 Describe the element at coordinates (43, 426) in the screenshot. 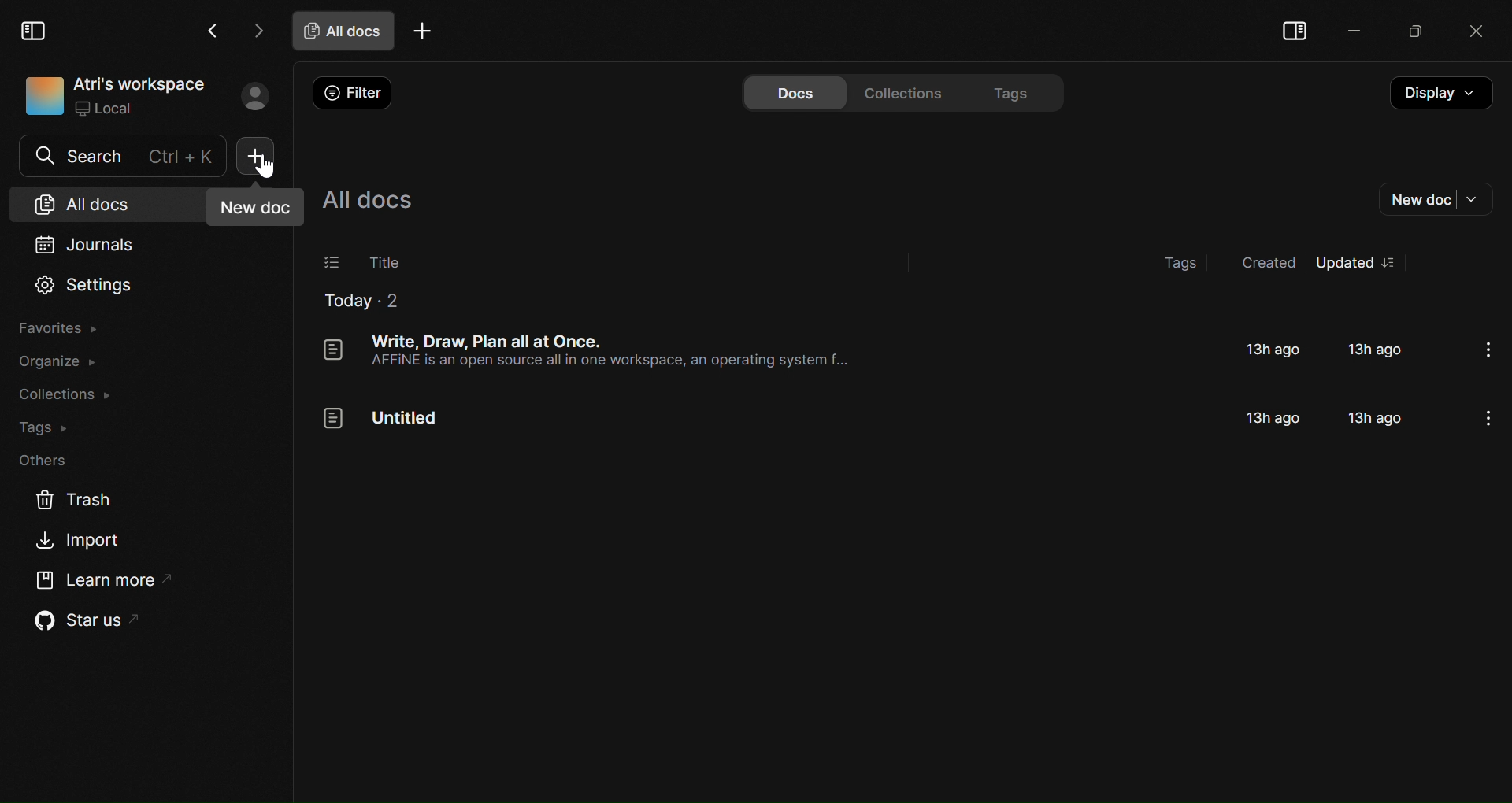

I see `Tags` at that location.